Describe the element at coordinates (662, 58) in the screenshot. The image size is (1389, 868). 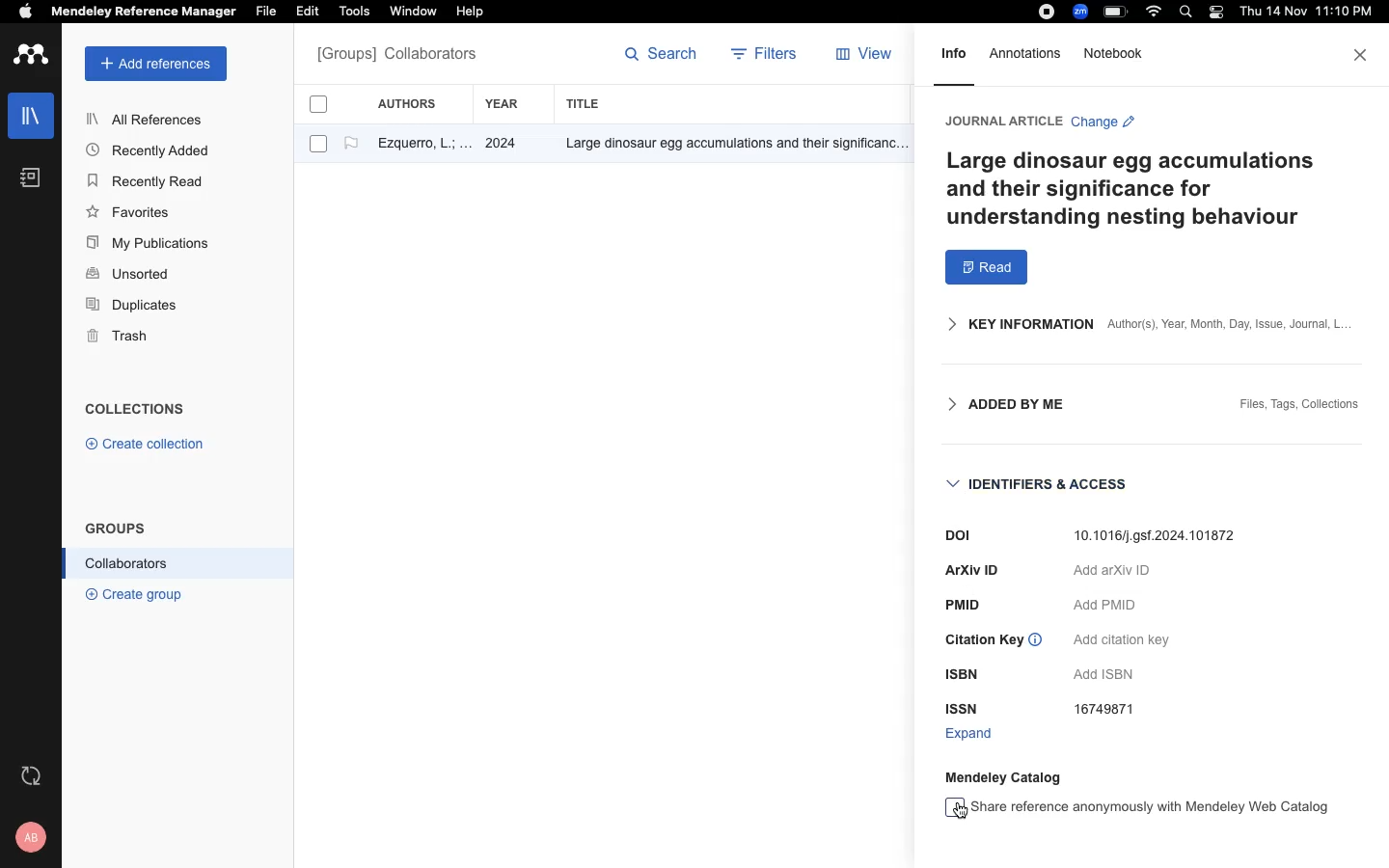
I see `search` at that location.